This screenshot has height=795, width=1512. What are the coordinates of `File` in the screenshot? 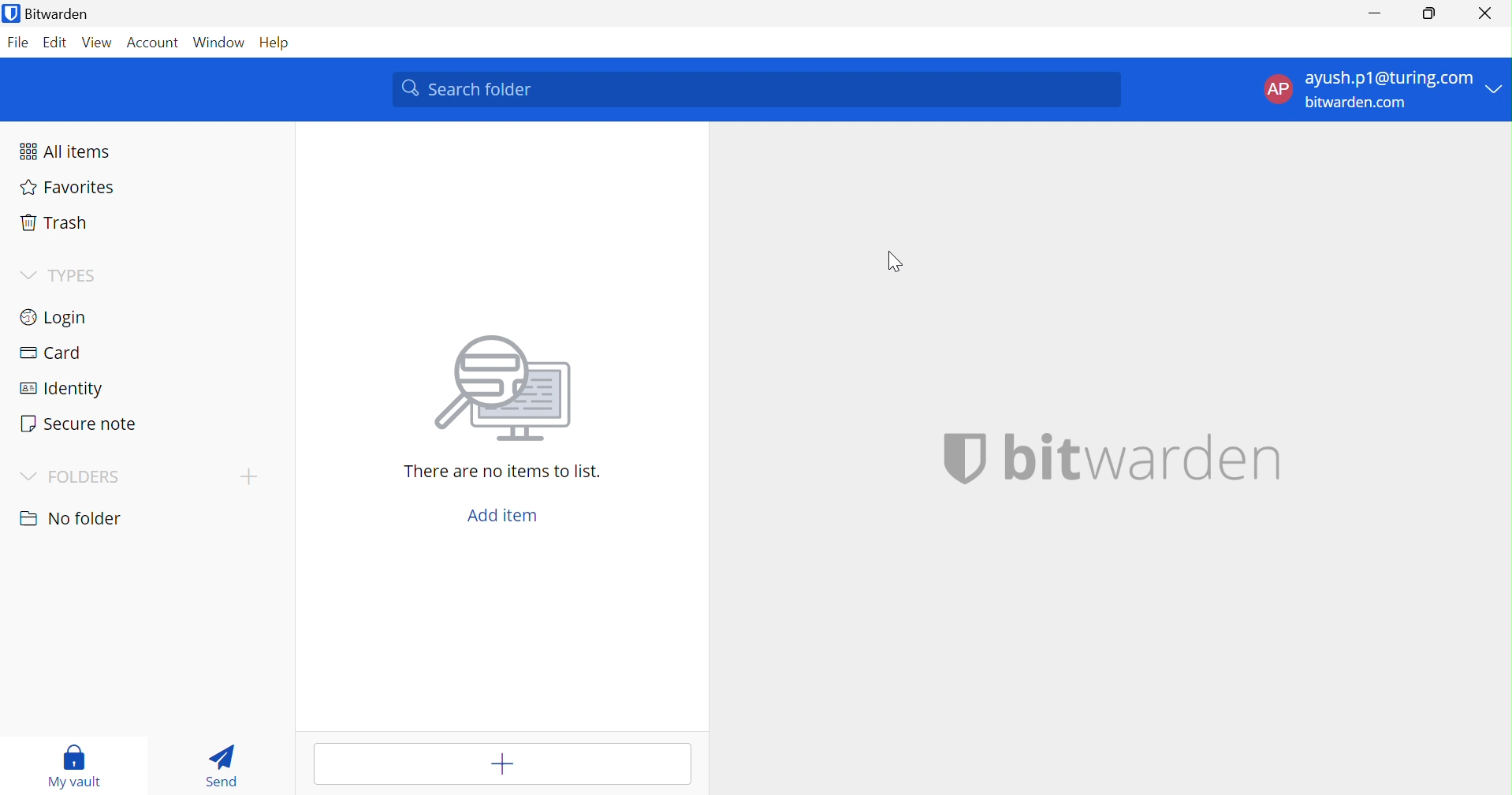 It's located at (17, 43).